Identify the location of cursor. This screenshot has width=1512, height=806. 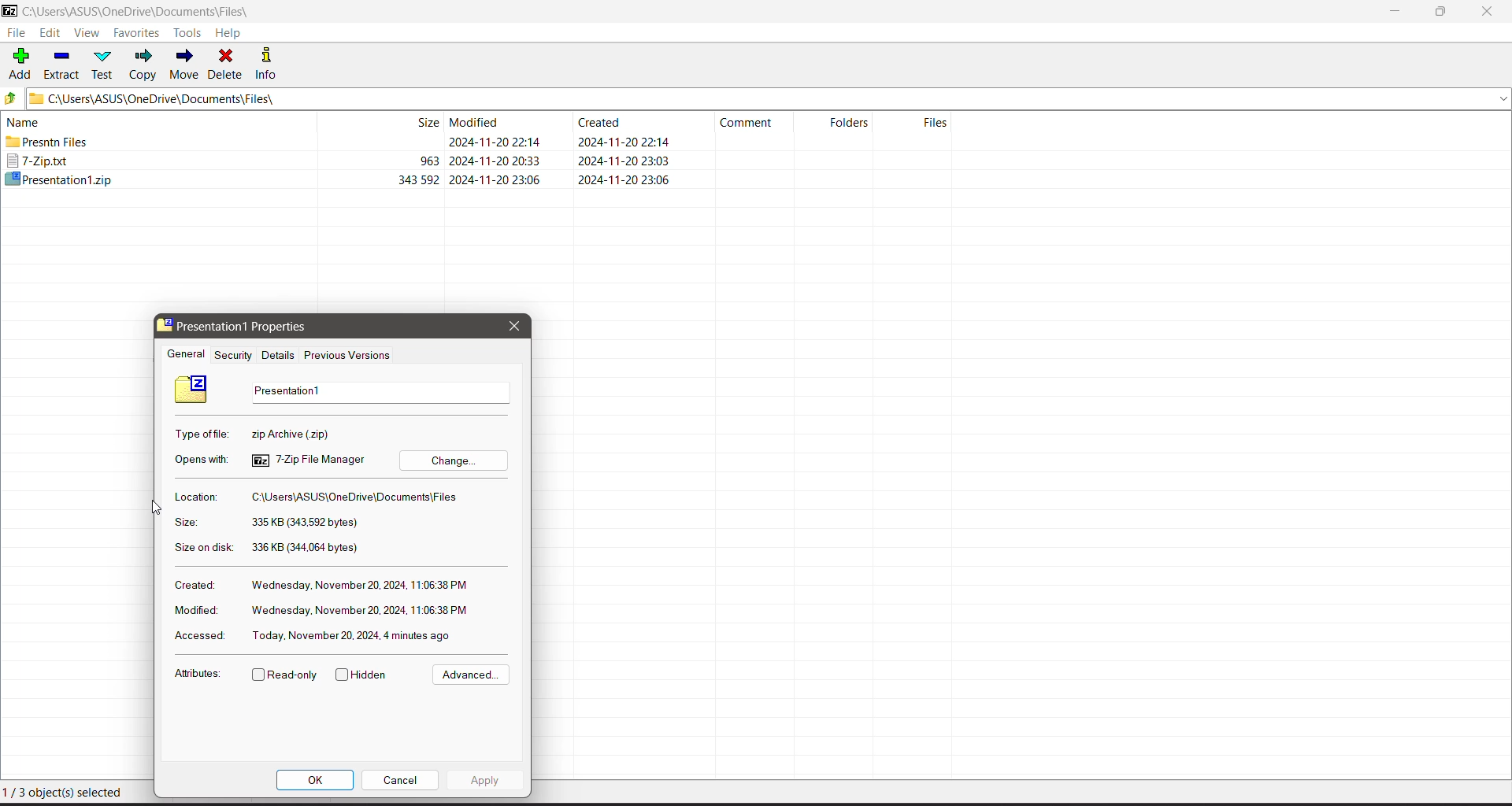
(159, 506).